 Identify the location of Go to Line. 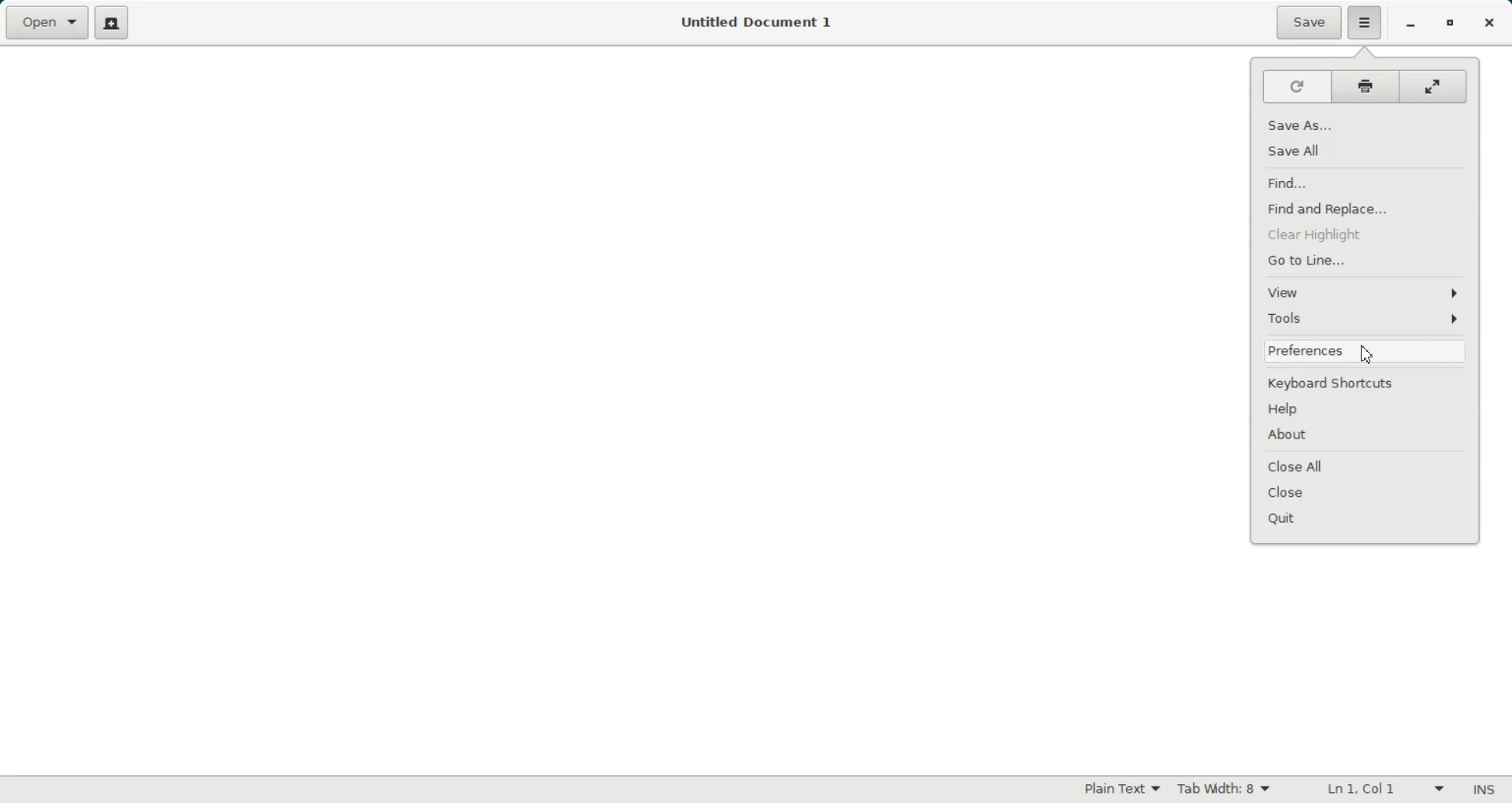
(1366, 258).